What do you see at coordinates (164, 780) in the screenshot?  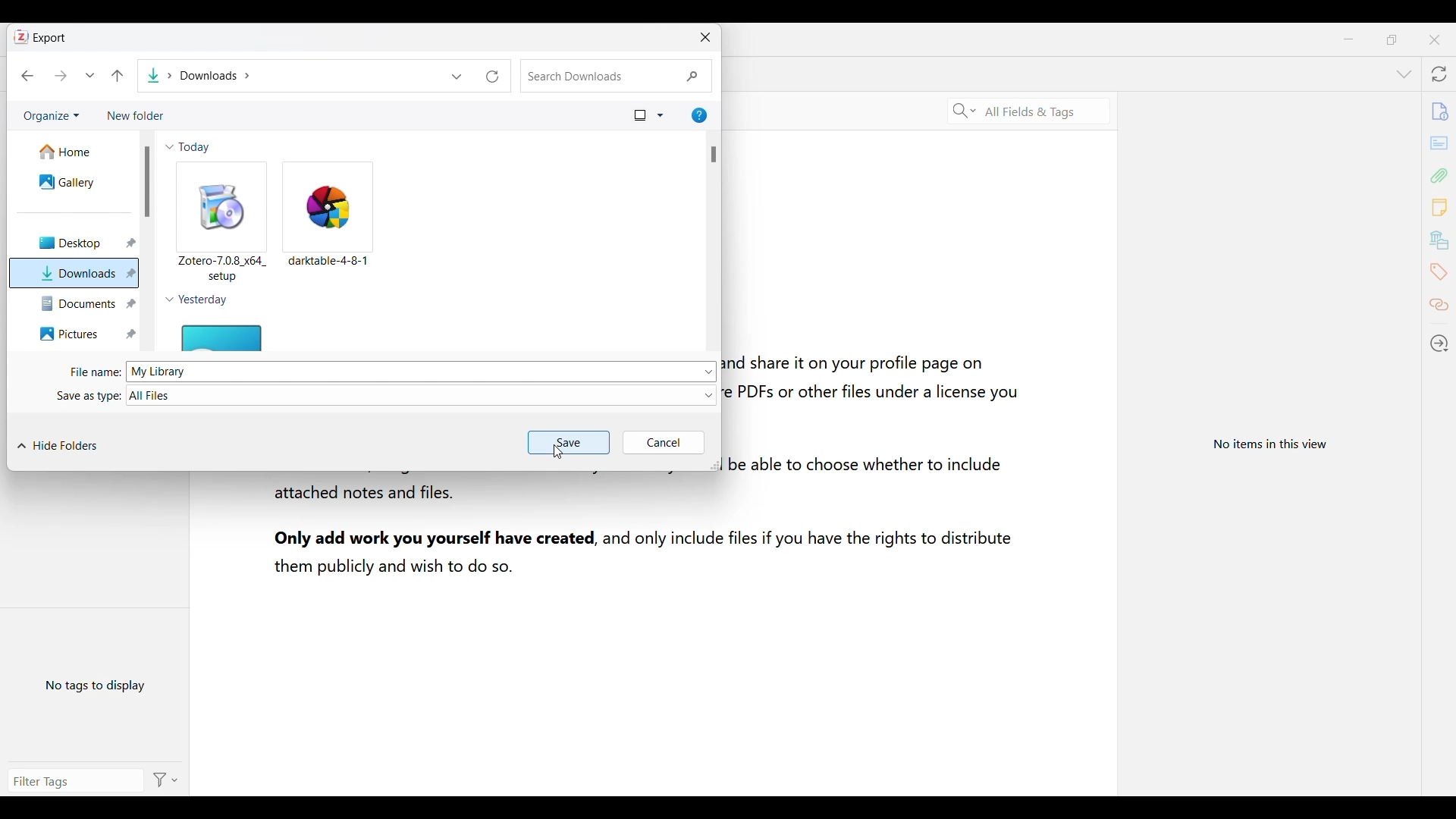 I see `Action options` at bounding box center [164, 780].